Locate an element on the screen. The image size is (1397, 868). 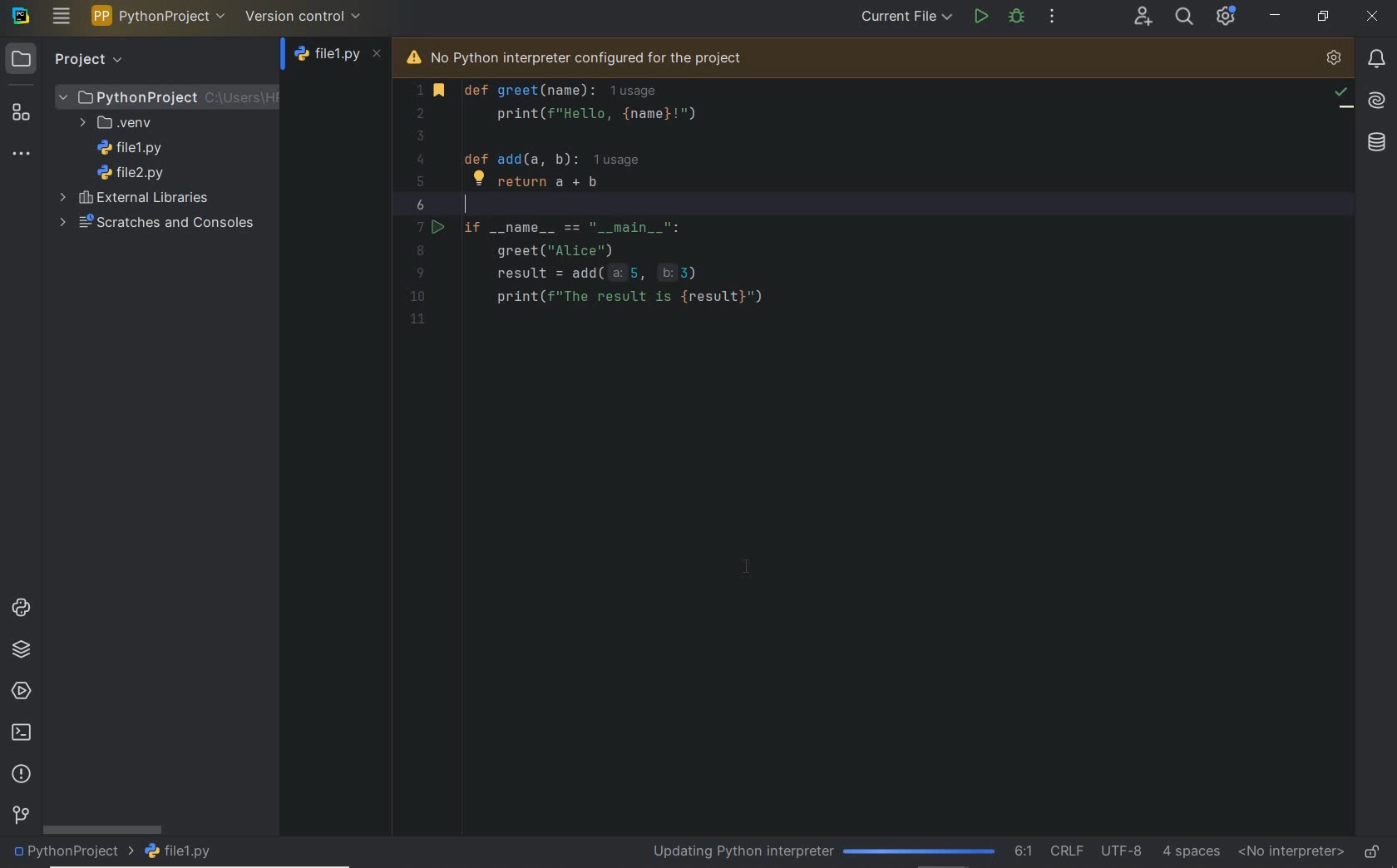
CLOSE is located at coordinates (1373, 18).